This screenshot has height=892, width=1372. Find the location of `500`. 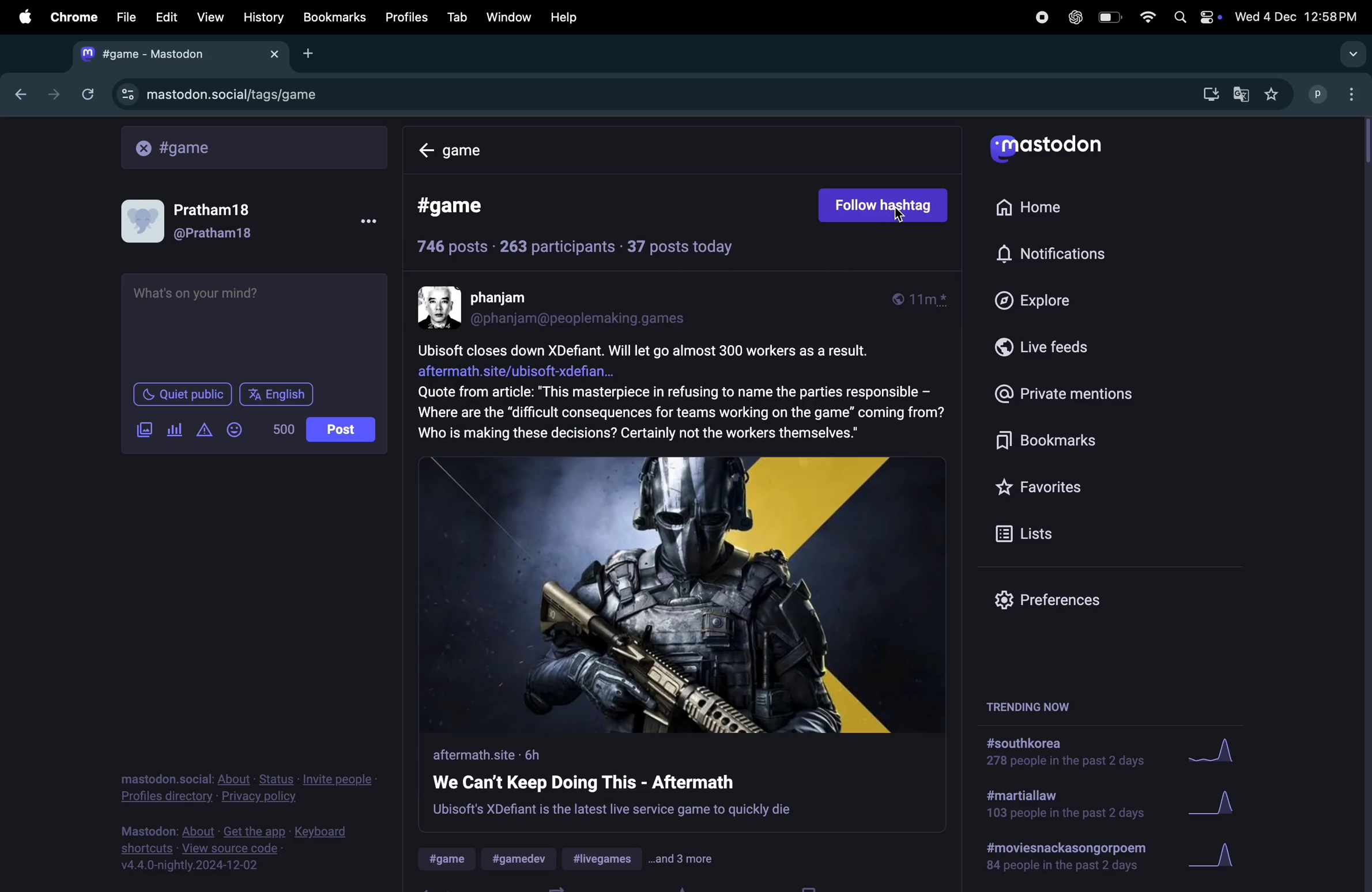

500 is located at coordinates (282, 430).